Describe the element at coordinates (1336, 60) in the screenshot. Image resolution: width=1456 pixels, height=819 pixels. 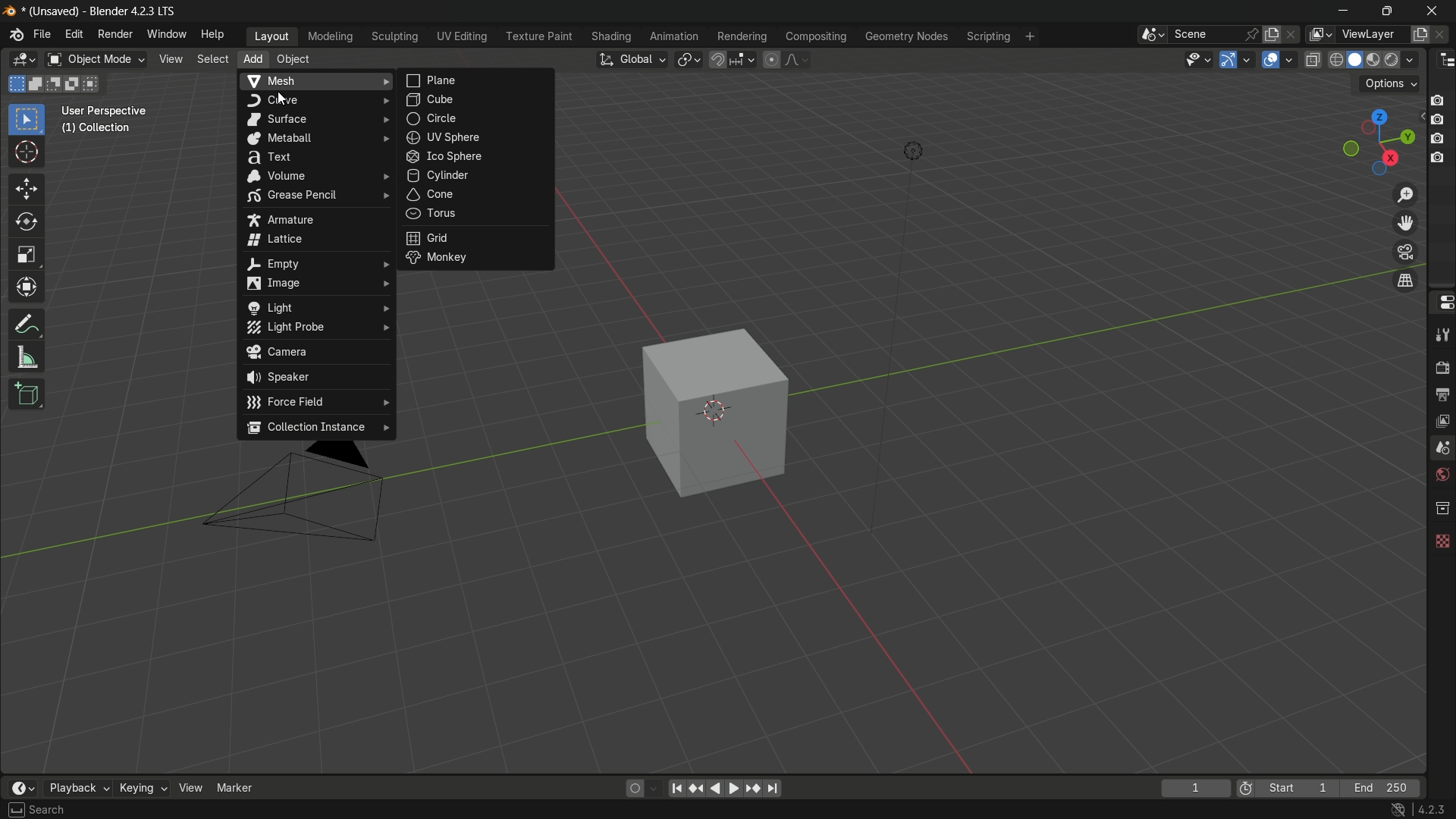
I see `wireframe` at that location.